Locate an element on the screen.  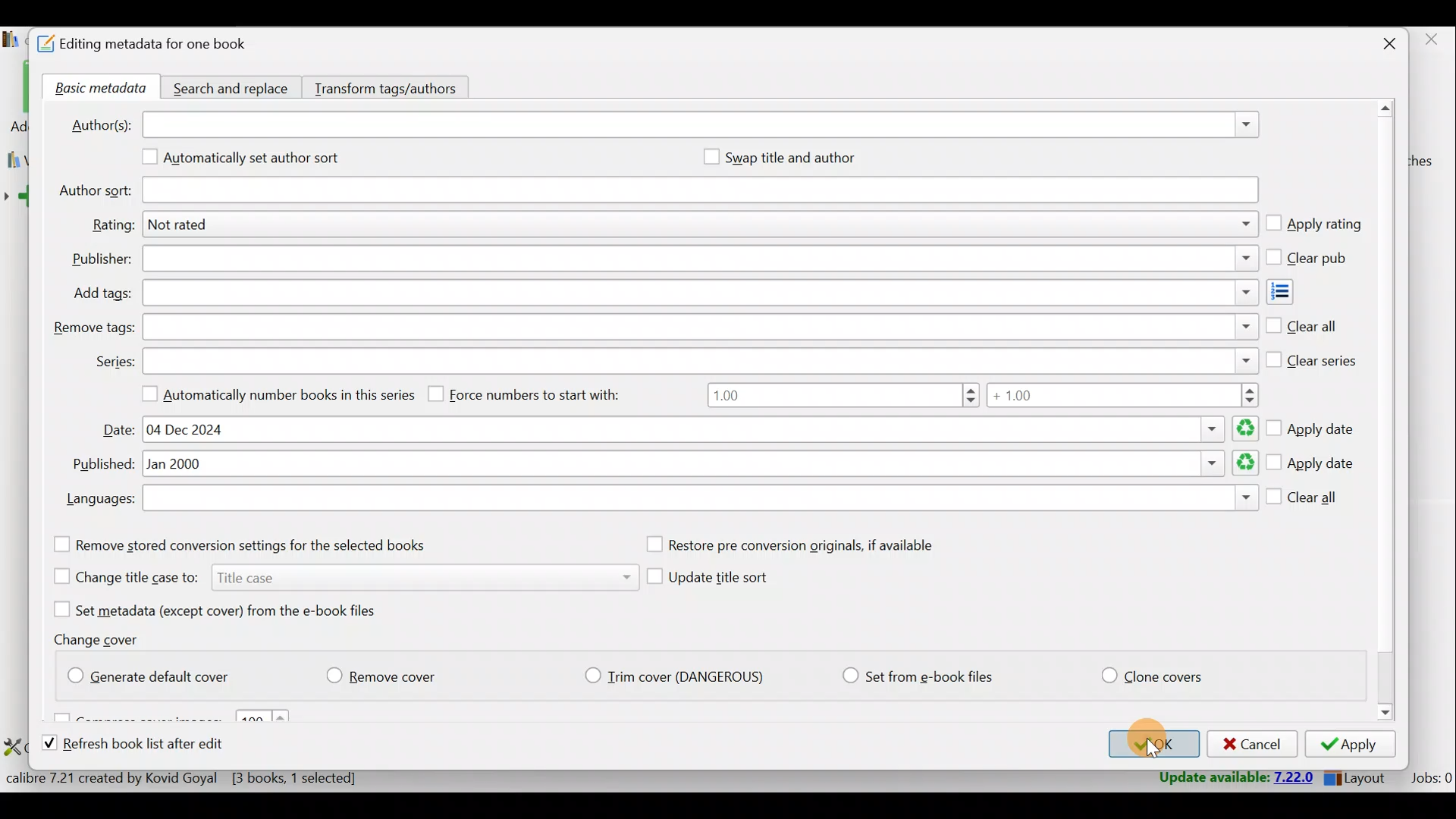
Editing metadata for one book is located at coordinates (161, 45).